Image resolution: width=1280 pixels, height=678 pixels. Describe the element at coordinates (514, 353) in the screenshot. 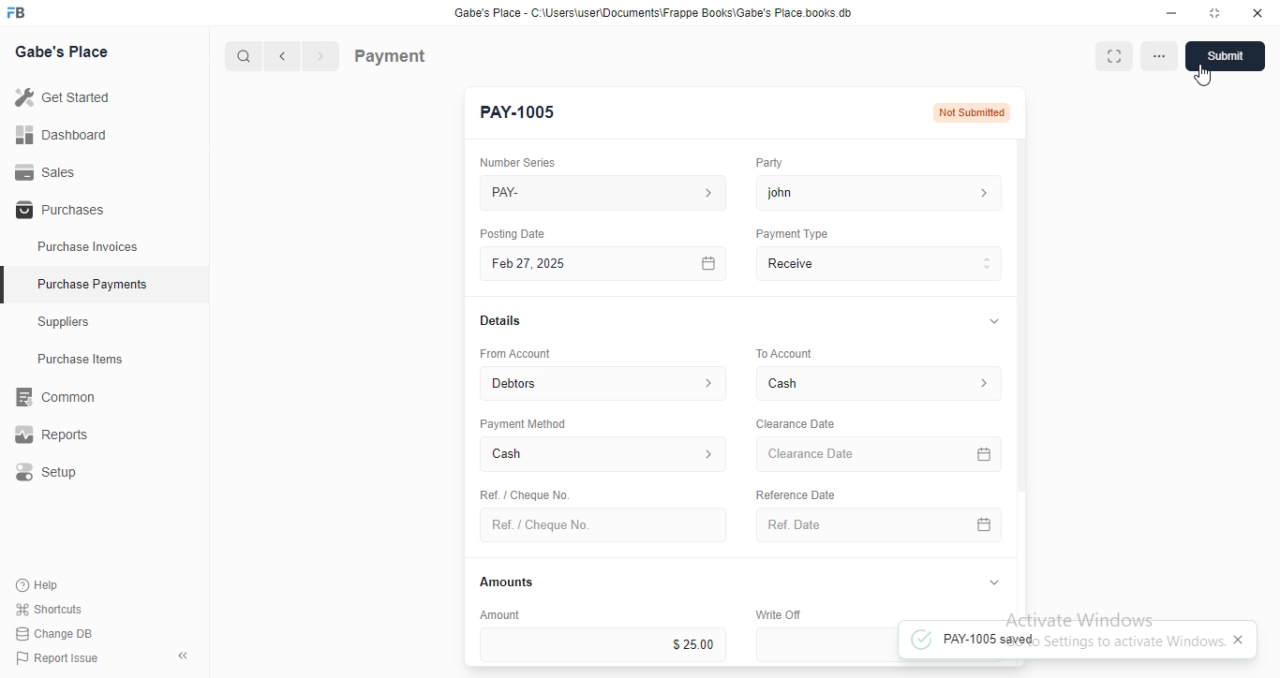

I see `‘From Account` at that location.